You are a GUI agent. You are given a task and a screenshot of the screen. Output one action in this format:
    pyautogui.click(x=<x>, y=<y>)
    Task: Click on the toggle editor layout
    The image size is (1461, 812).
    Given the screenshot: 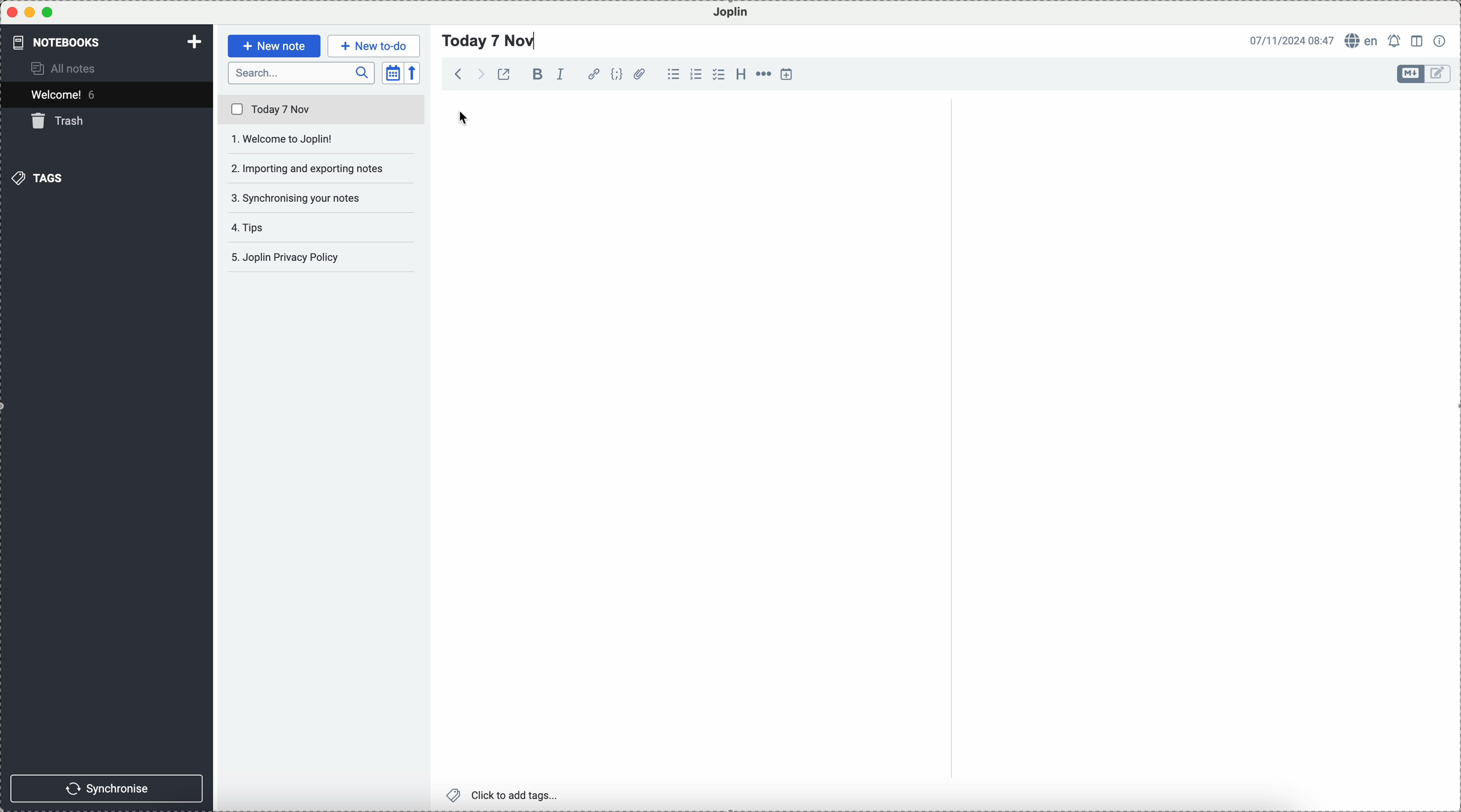 What is the action you would take?
    pyautogui.click(x=1418, y=41)
    